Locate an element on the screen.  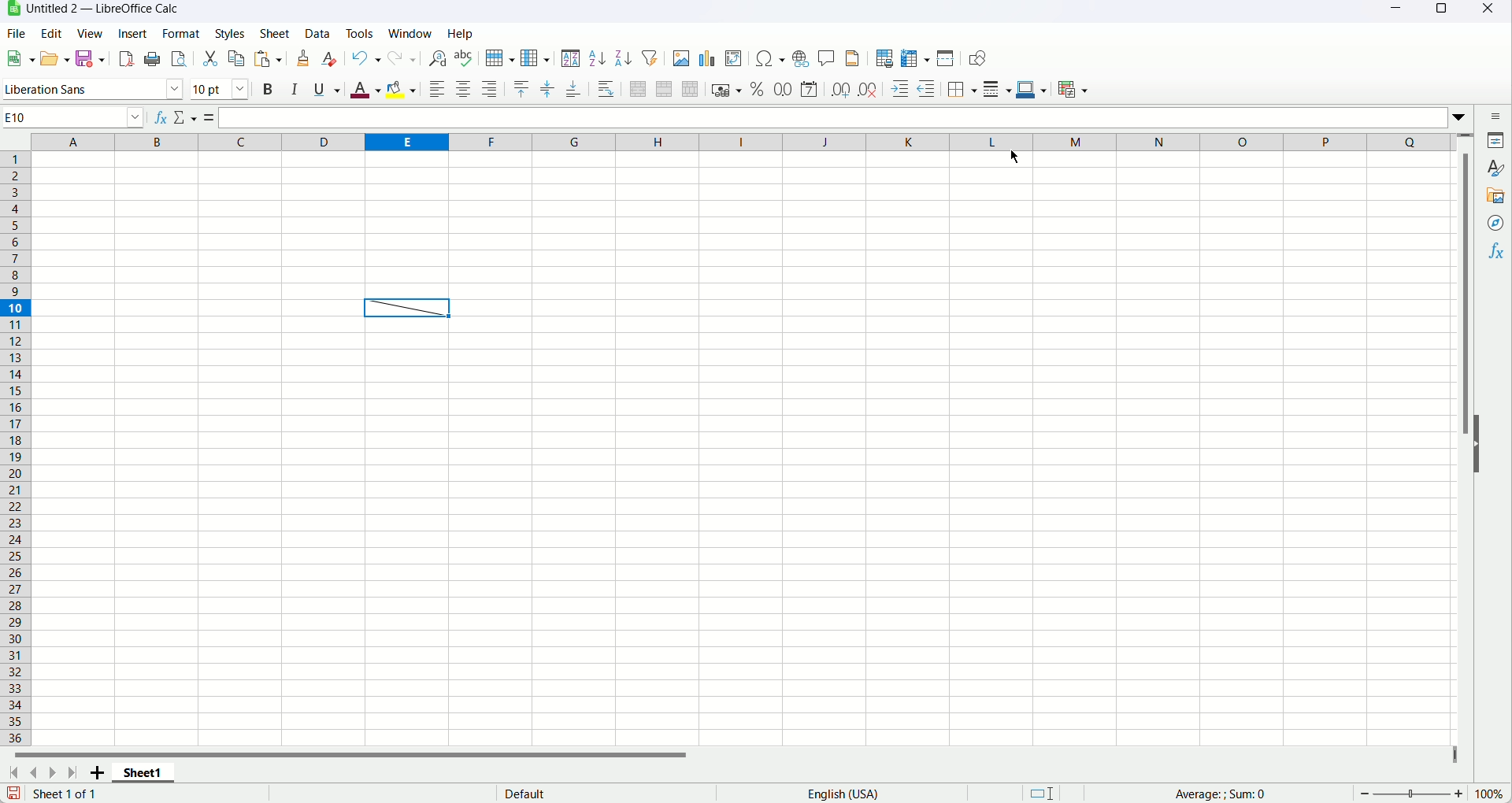
Headers and footers is located at coordinates (852, 57).